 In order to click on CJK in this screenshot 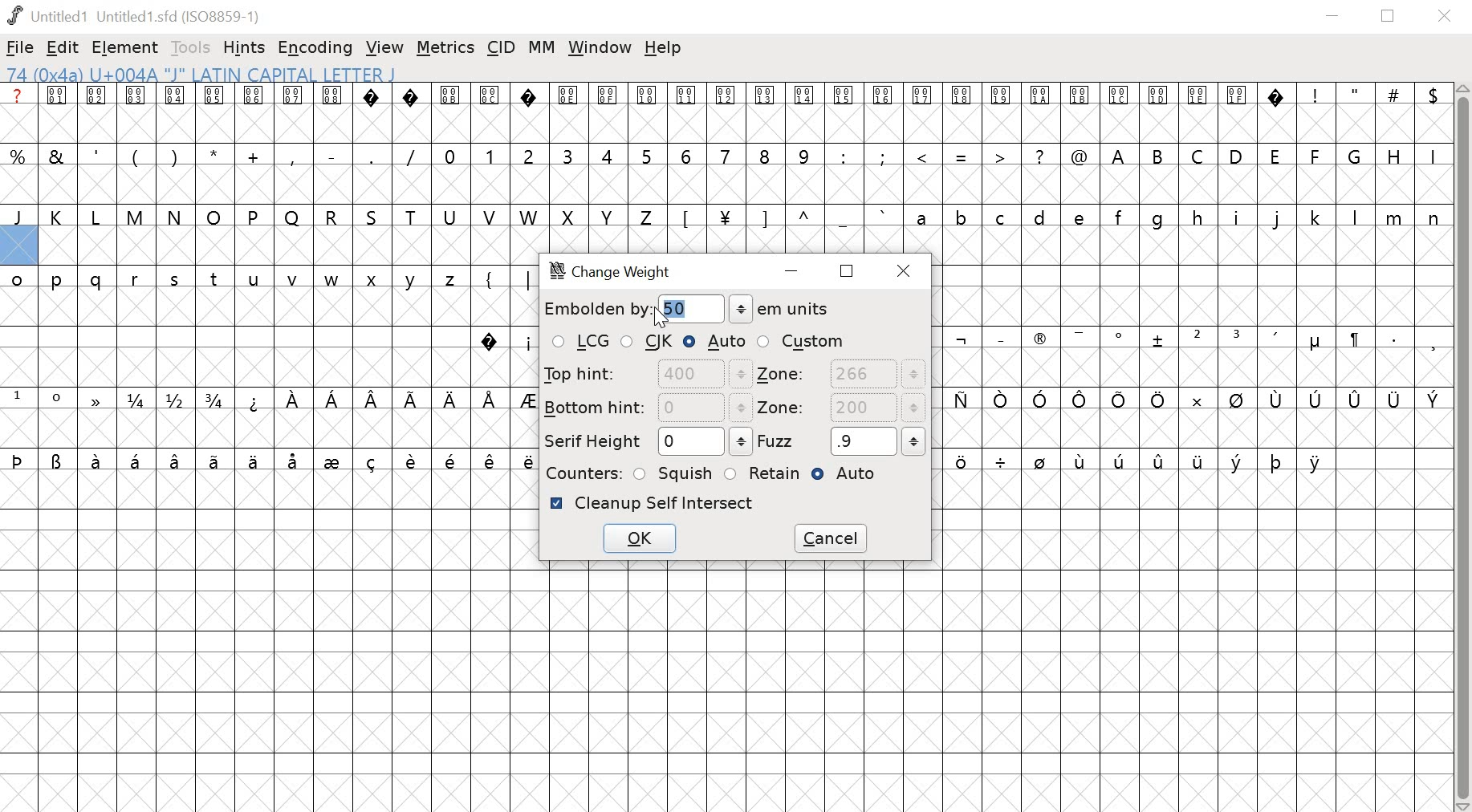, I will do `click(649, 343)`.